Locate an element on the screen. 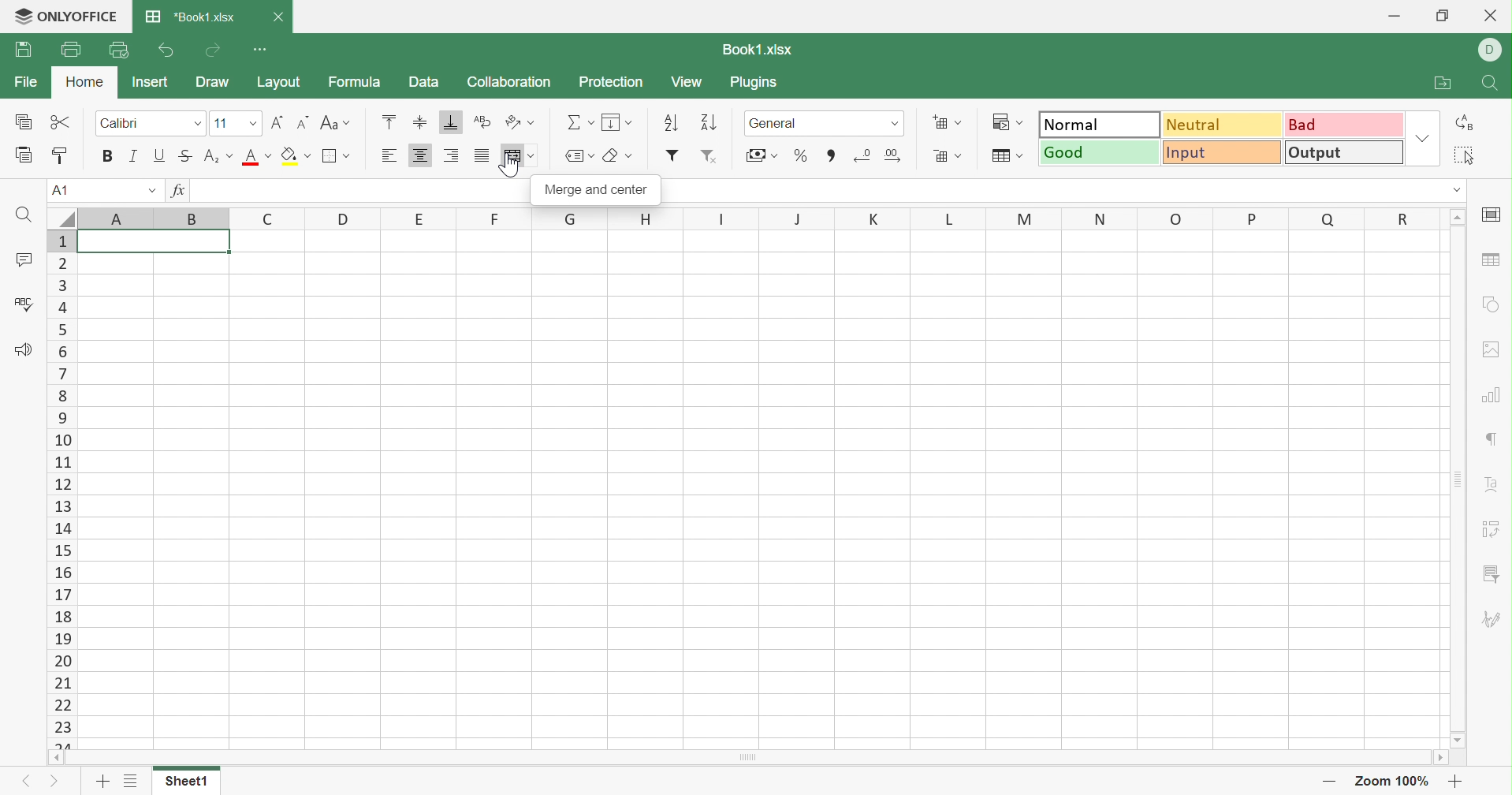  Pivot Table settings is located at coordinates (1491, 527).